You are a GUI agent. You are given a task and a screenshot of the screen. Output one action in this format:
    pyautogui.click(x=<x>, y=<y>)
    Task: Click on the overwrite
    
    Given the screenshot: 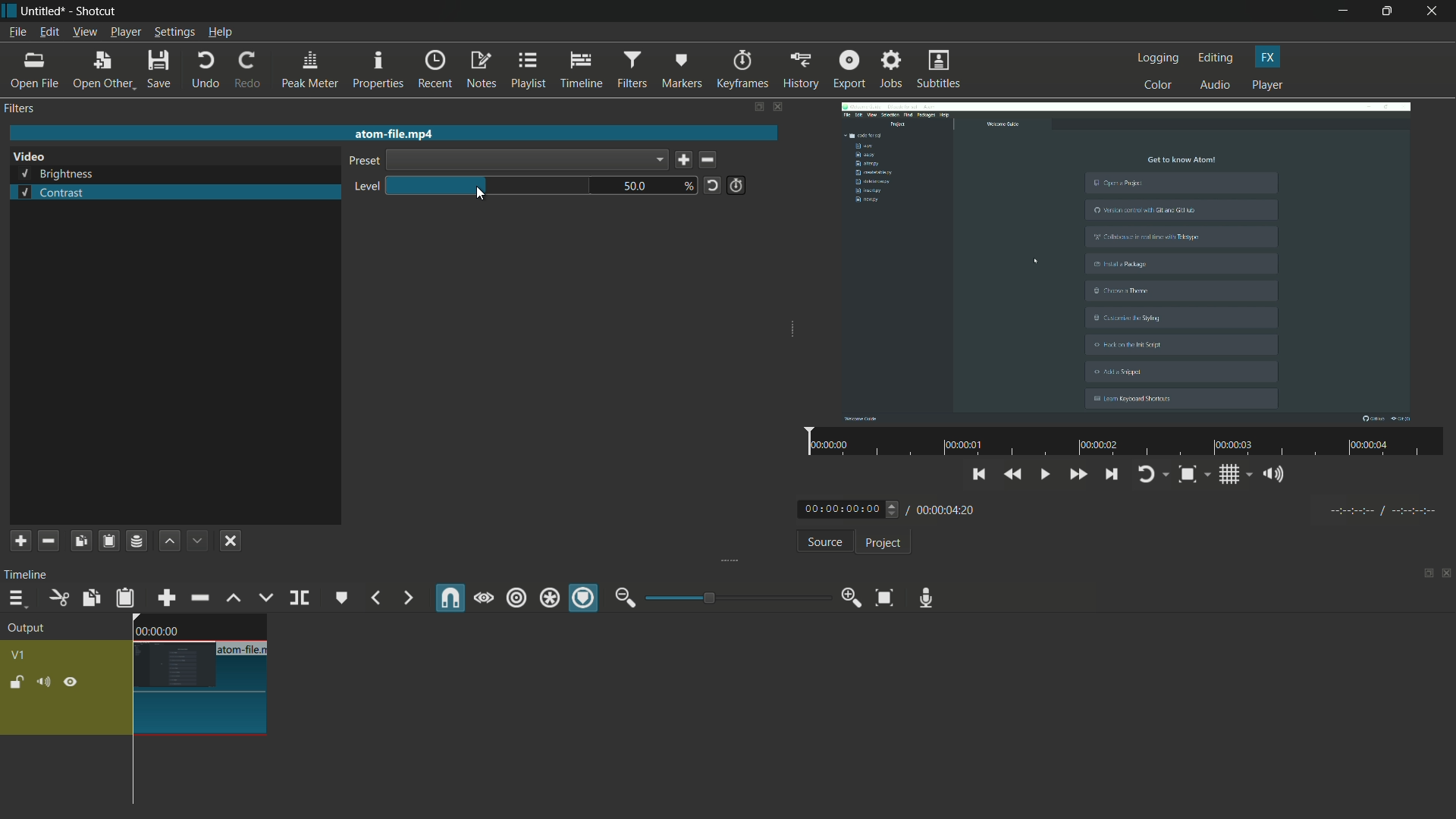 What is the action you would take?
    pyautogui.click(x=263, y=598)
    